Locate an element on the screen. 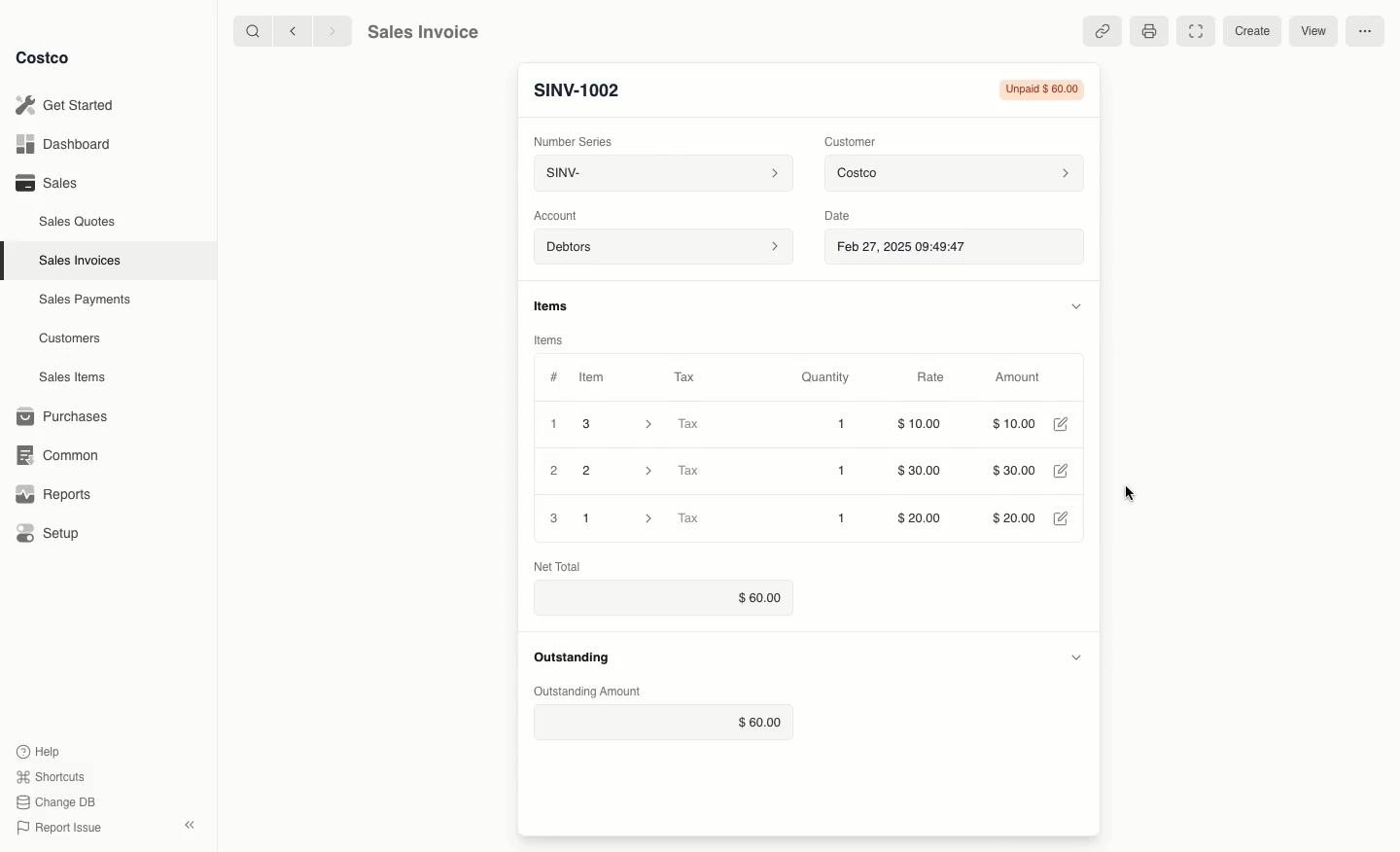 Image resolution: width=1400 pixels, height=852 pixels. Customer is located at coordinates (847, 140).